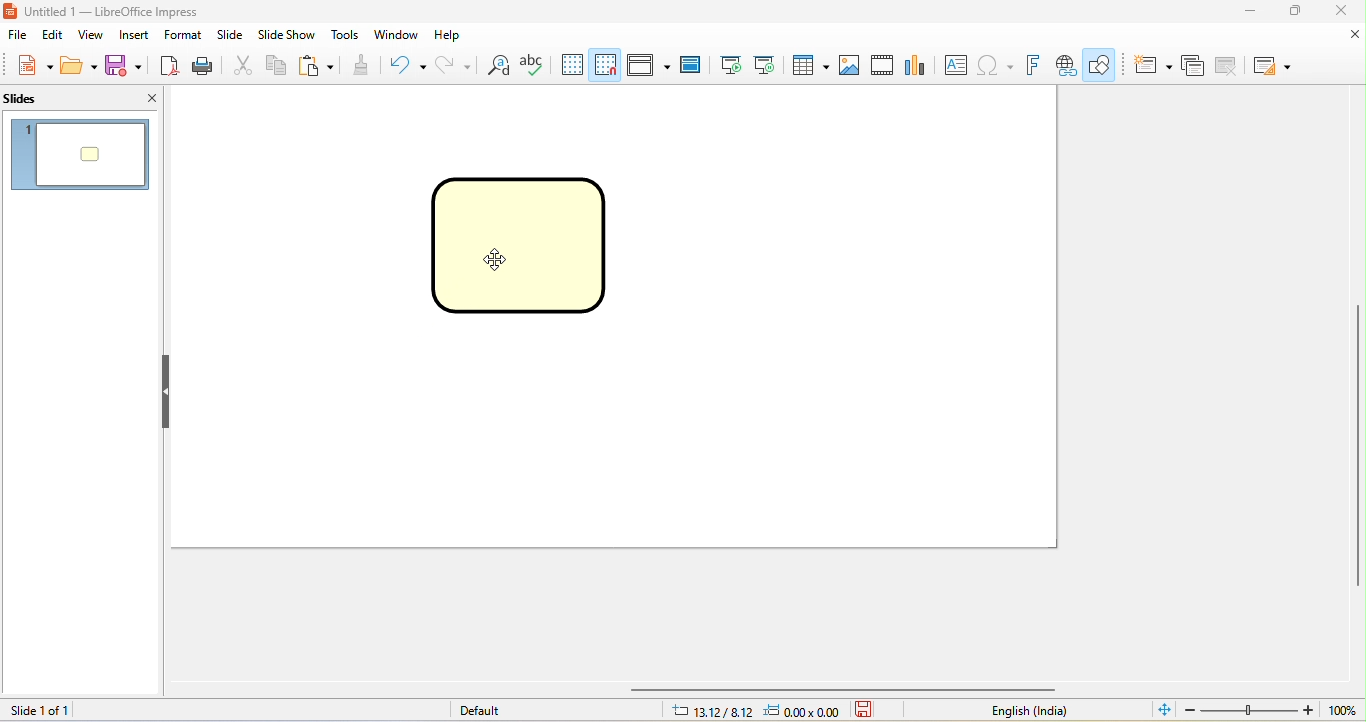 This screenshot has height=722, width=1366. I want to click on slides, so click(42, 100).